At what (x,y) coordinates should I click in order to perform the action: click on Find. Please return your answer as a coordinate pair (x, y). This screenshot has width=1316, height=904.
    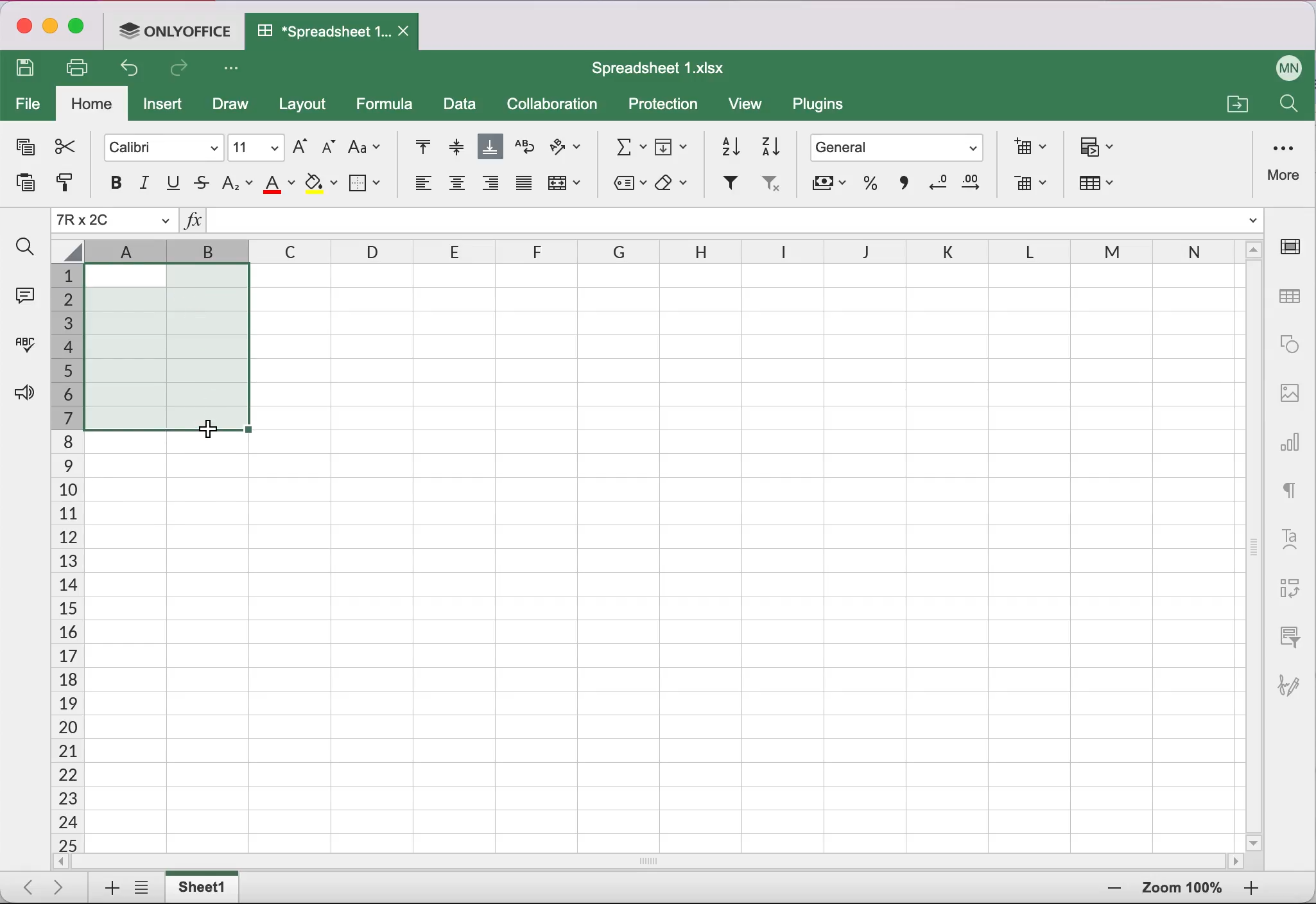
    Looking at the image, I should click on (1287, 107).